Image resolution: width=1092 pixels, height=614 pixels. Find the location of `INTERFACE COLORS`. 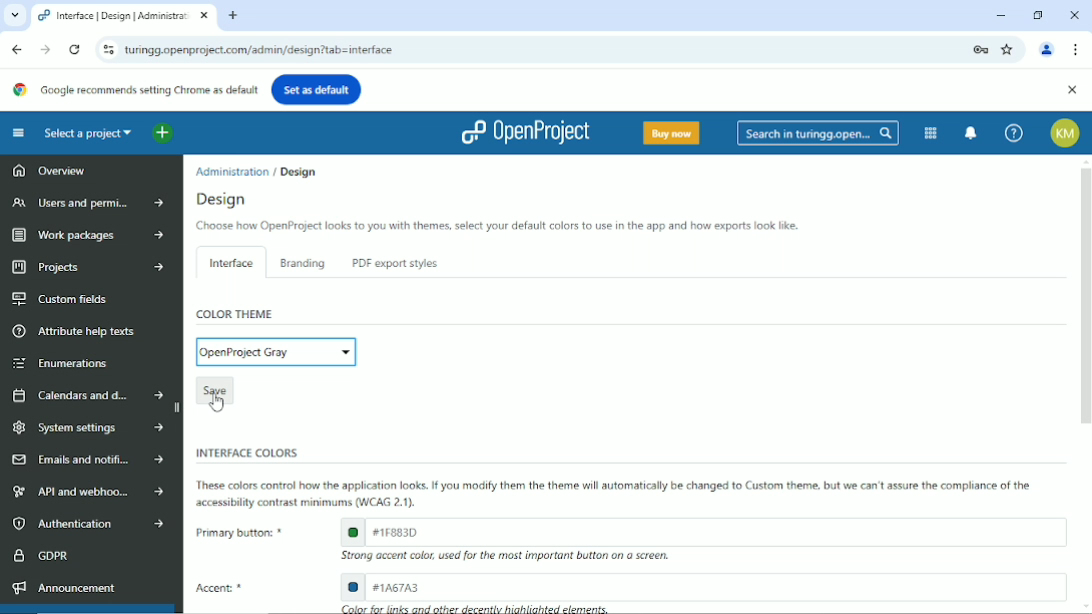

INTERFACE COLORS is located at coordinates (243, 452).